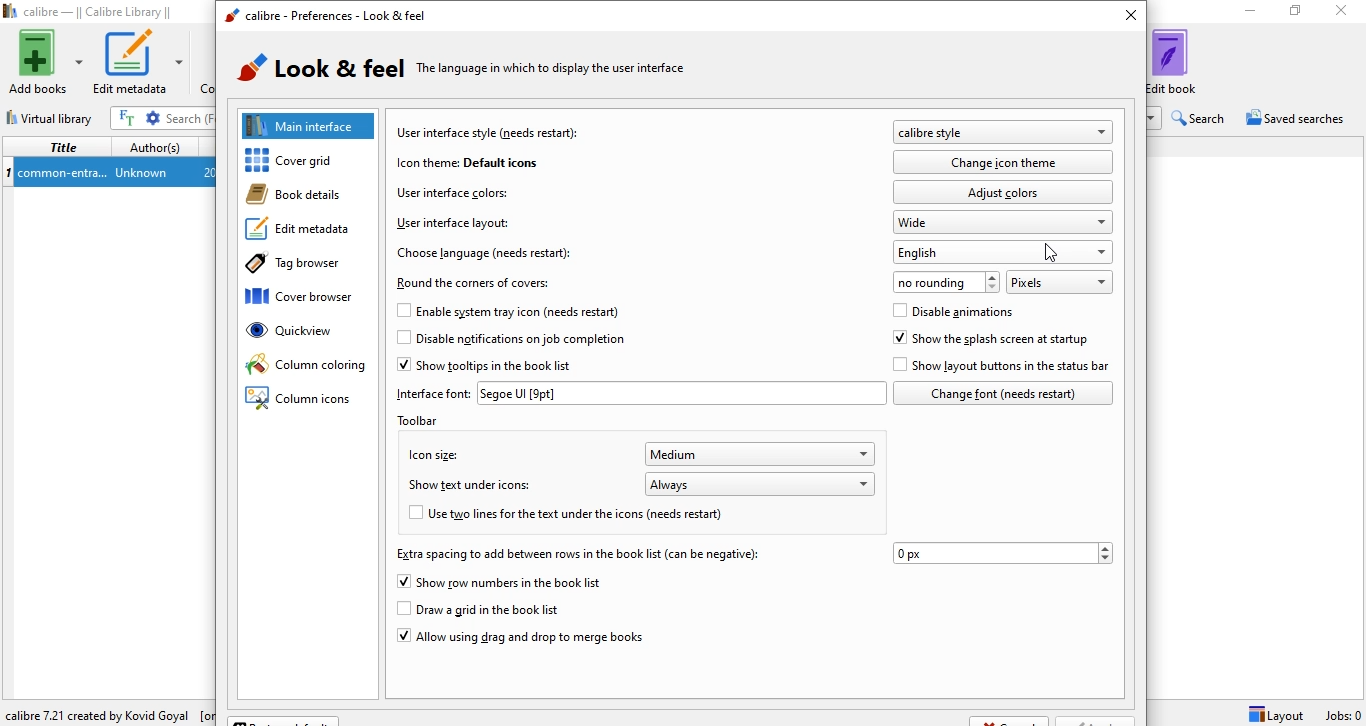  Describe the element at coordinates (1345, 13) in the screenshot. I see `Close` at that location.